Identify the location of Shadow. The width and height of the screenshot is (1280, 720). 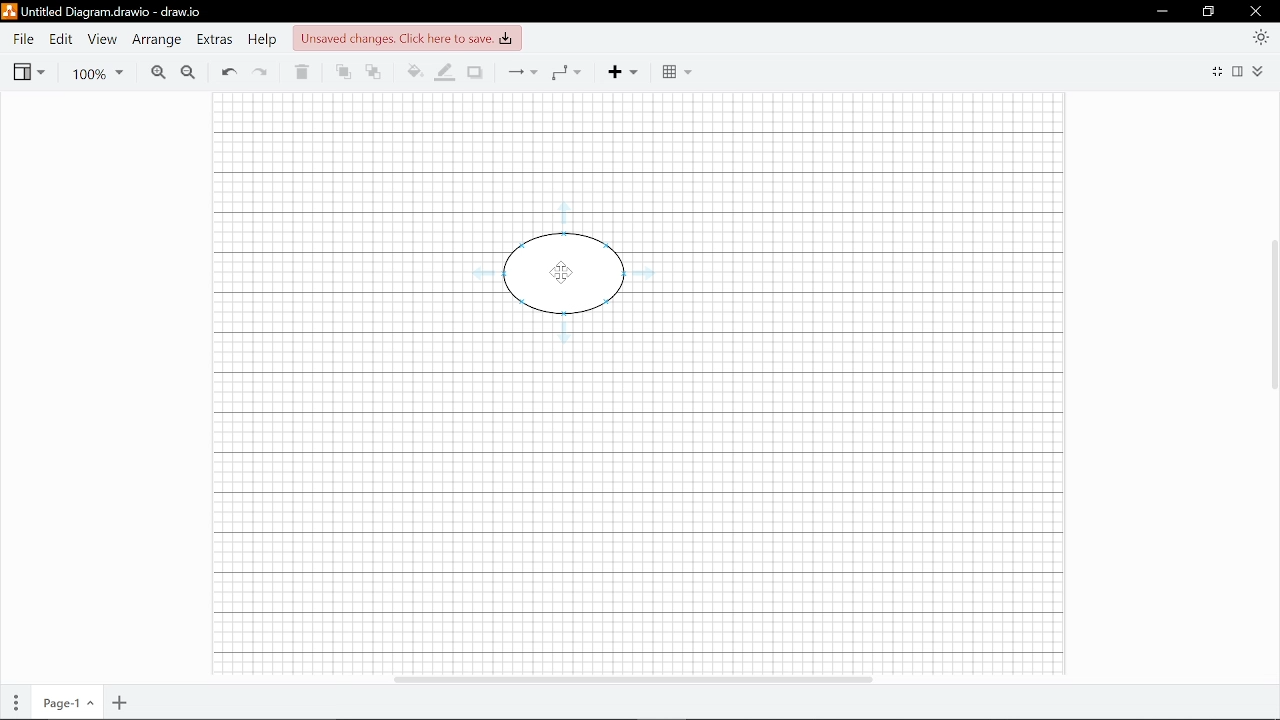
(475, 73).